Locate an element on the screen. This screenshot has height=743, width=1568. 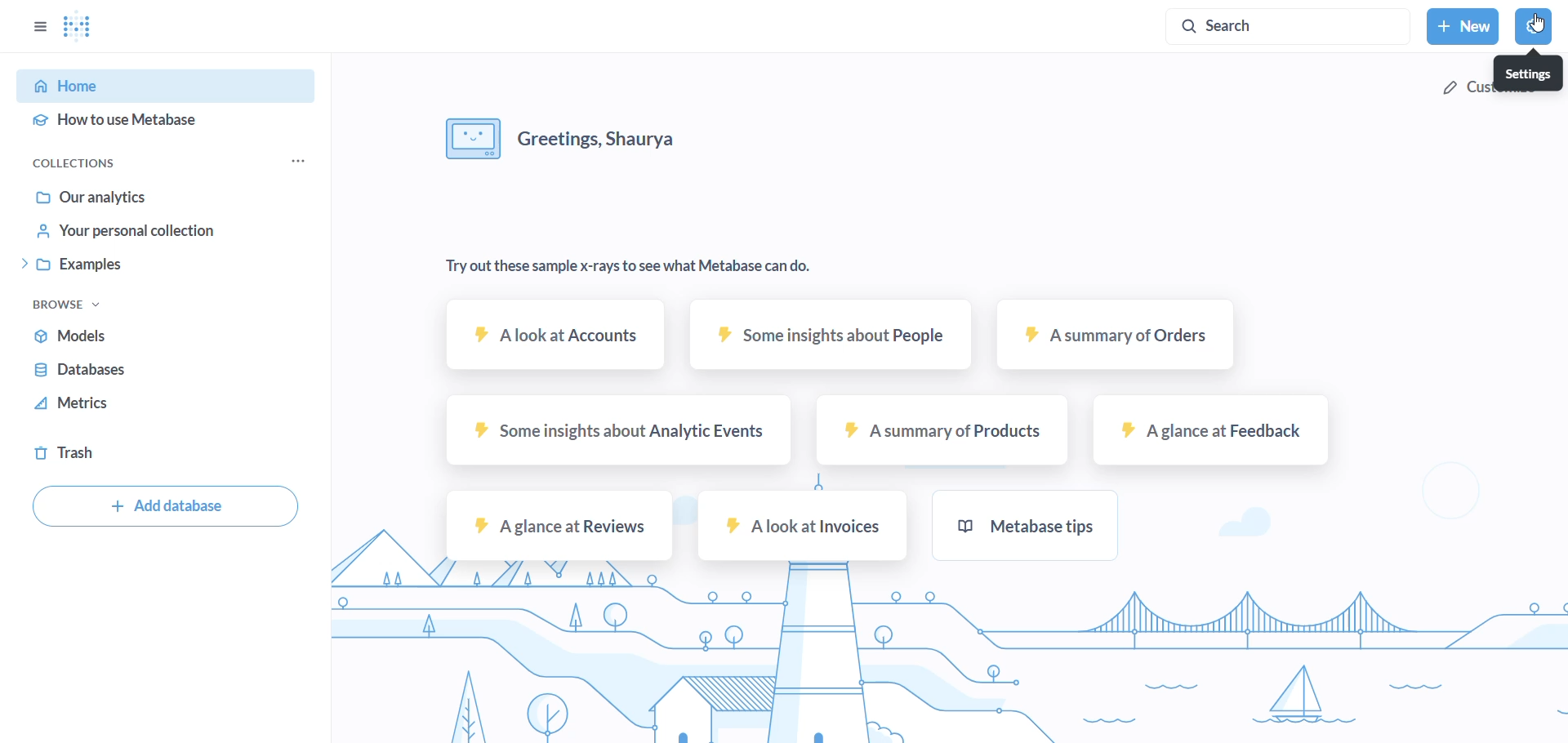
settings is located at coordinates (1529, 70).